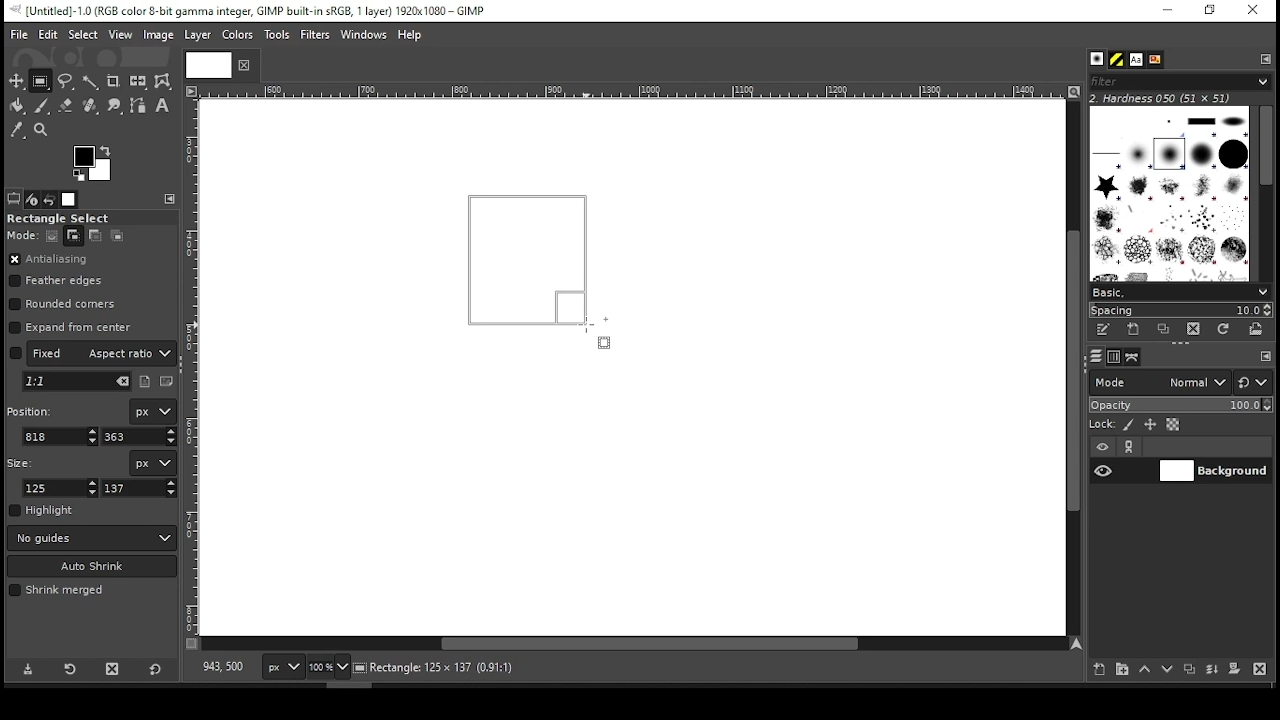  I want to click on delete tool preset, so click(118, 668).